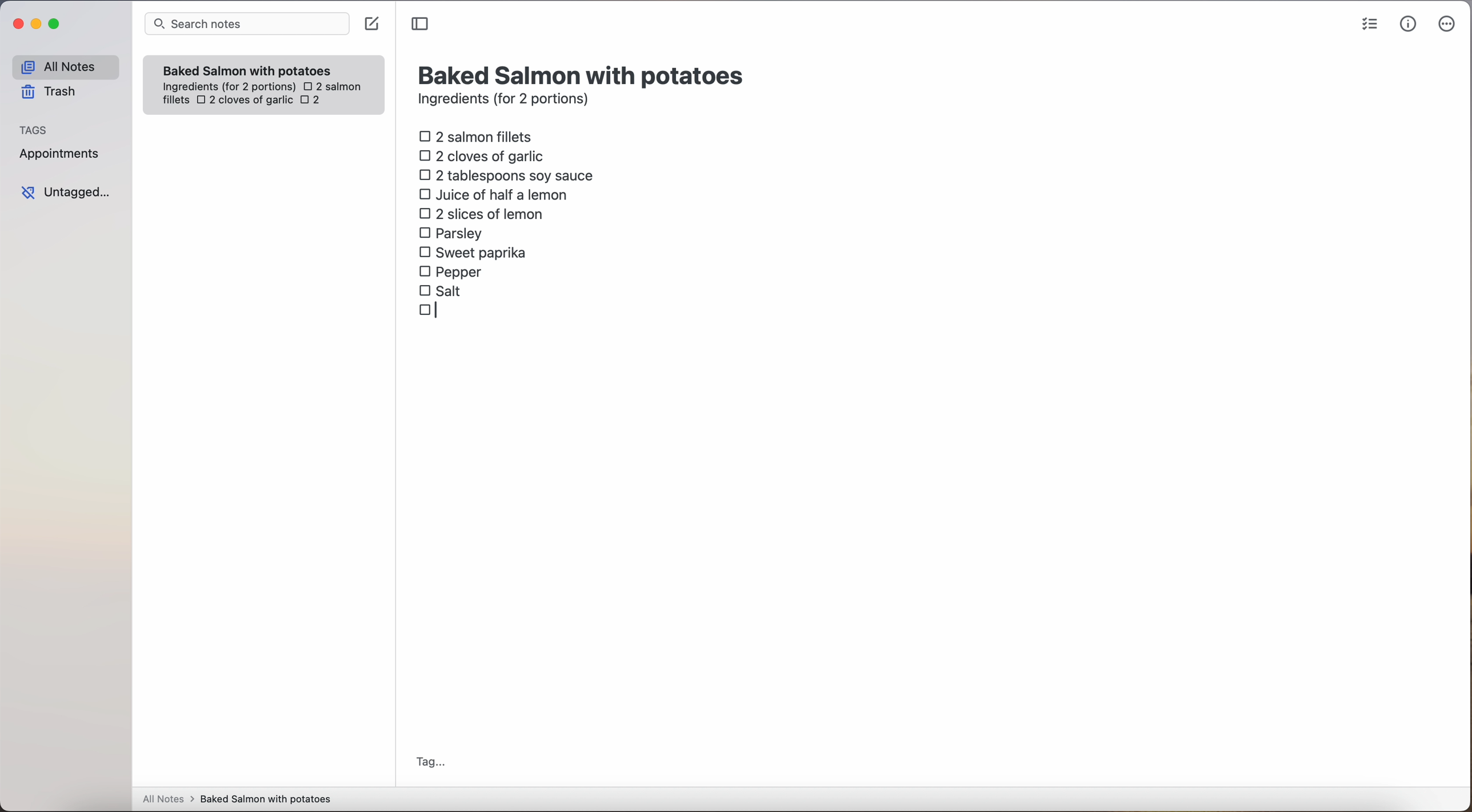 The width and height of the screenshot is (1472, 812). Describe the element at coordinates (430, 763) in the screenshot. I see `tag` at that location.